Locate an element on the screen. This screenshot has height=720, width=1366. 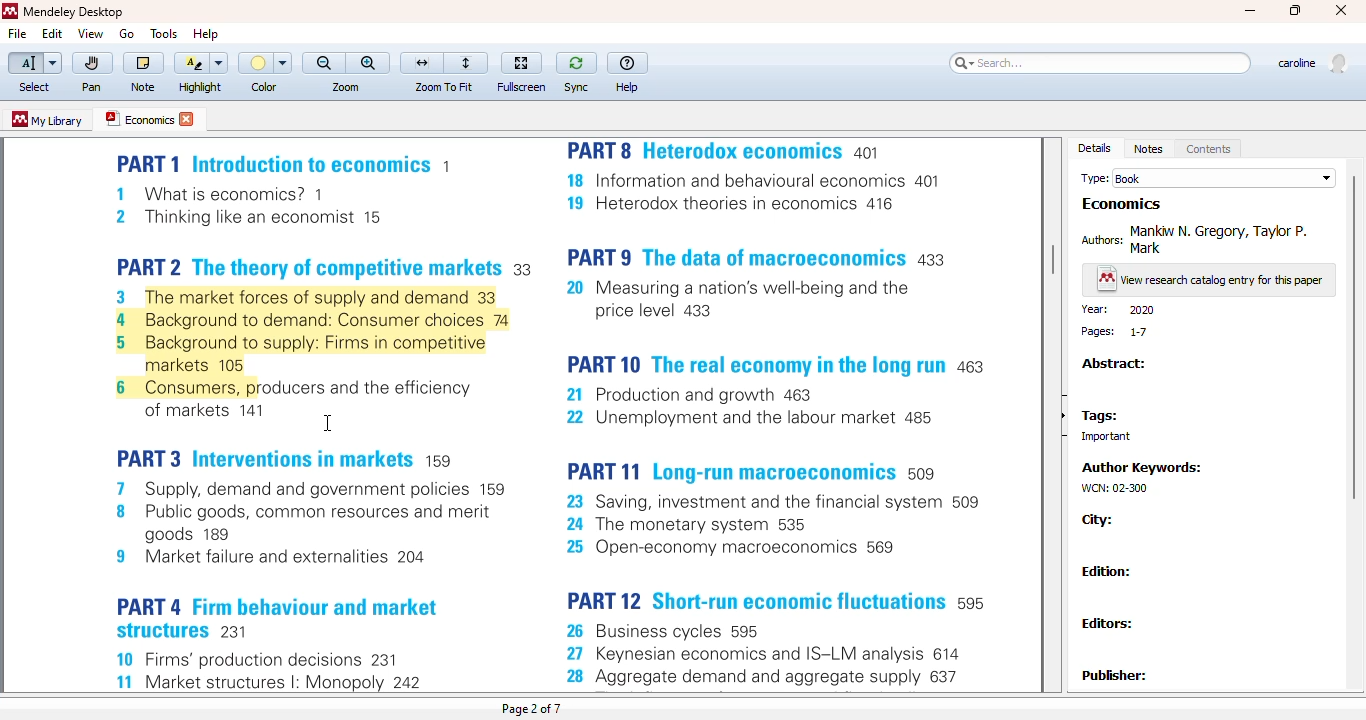
close is located at coordinates (1341, 10).